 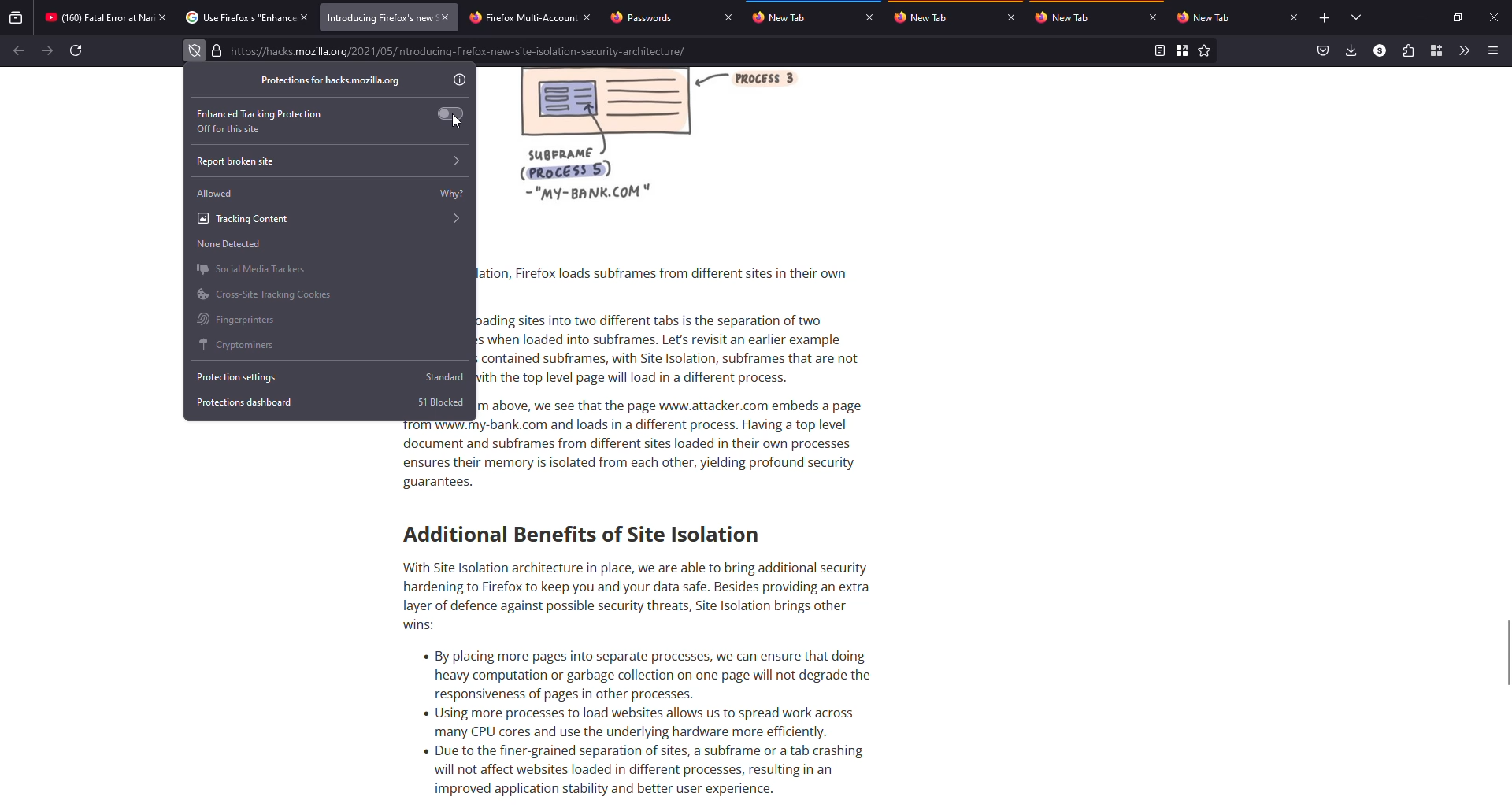 I want to click on tab, so click(x=785, y=17).